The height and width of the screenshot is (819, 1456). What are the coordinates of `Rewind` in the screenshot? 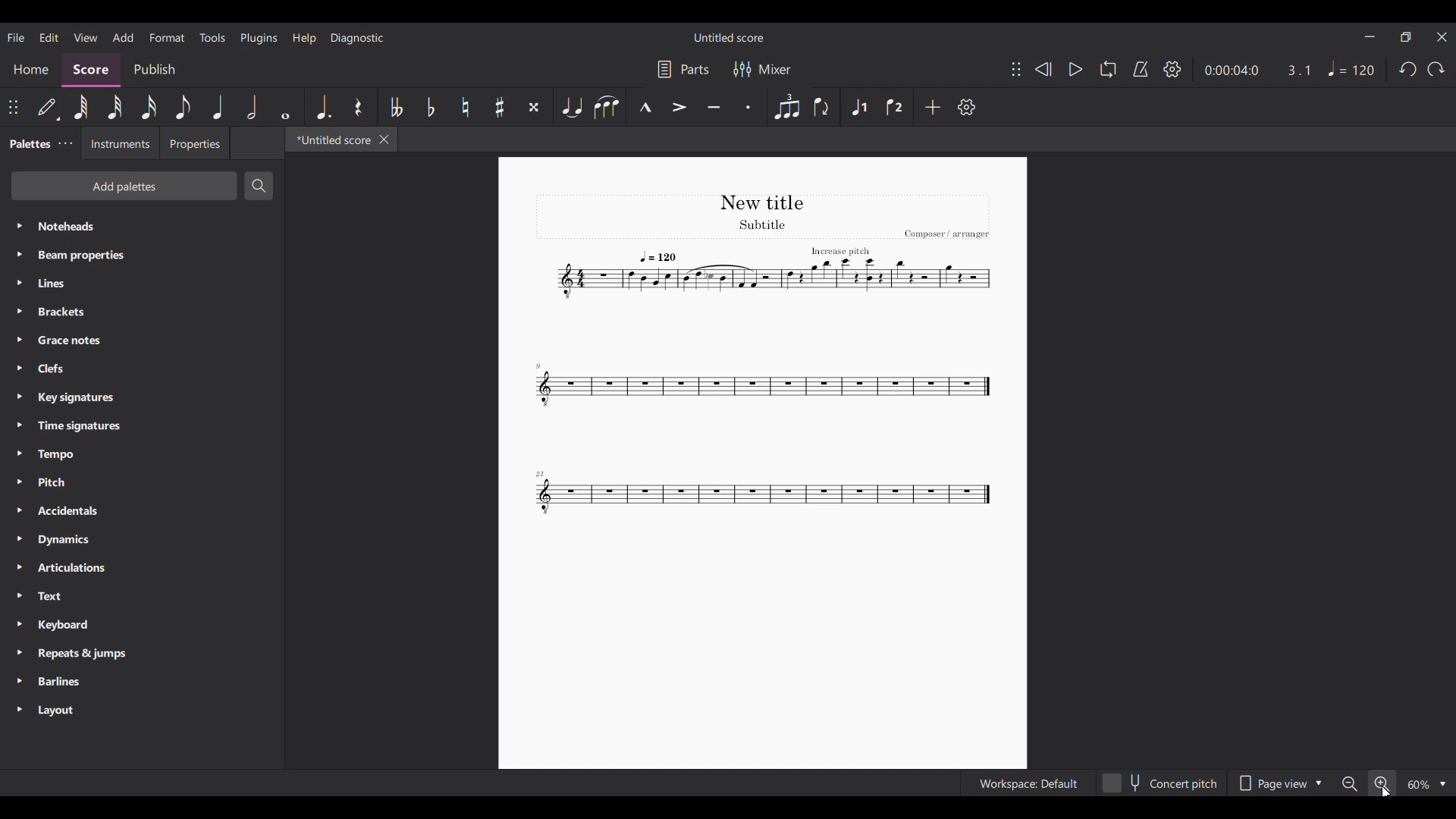 It's located at (1043, 70).